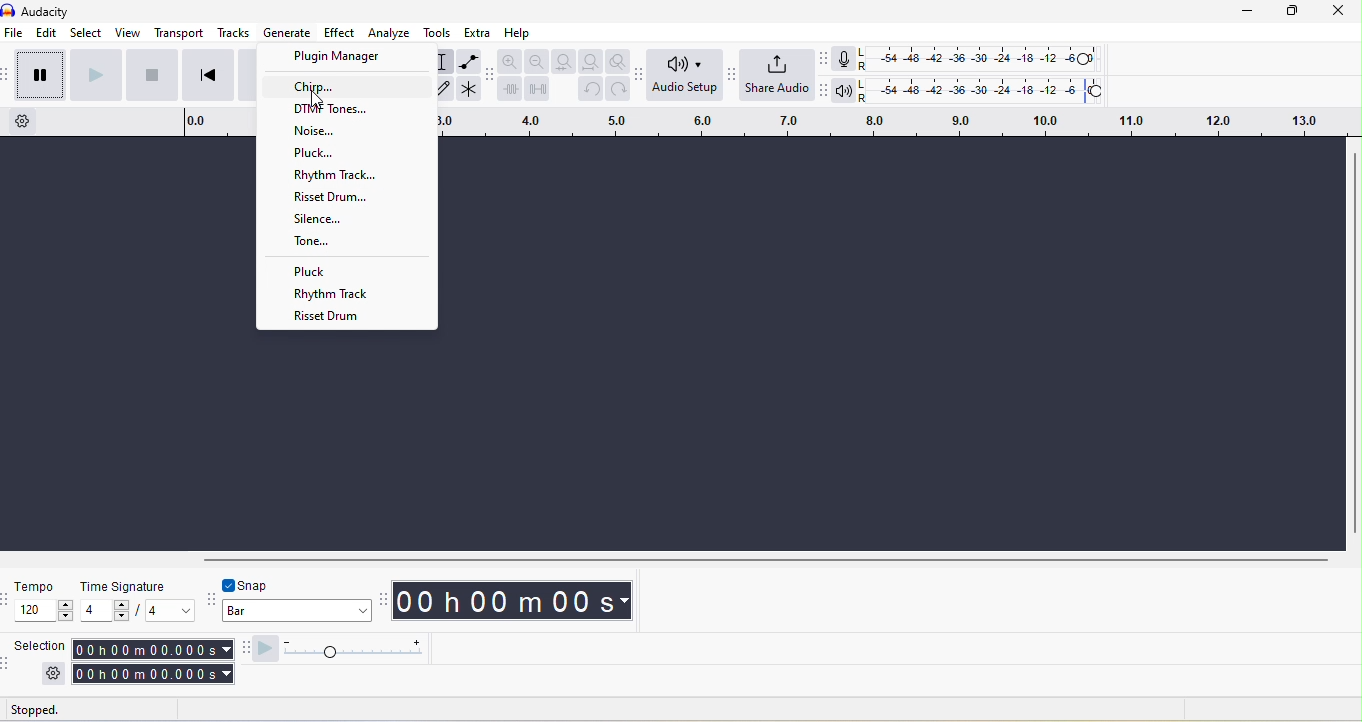  I want to click on risset drum, so click(330, 196).